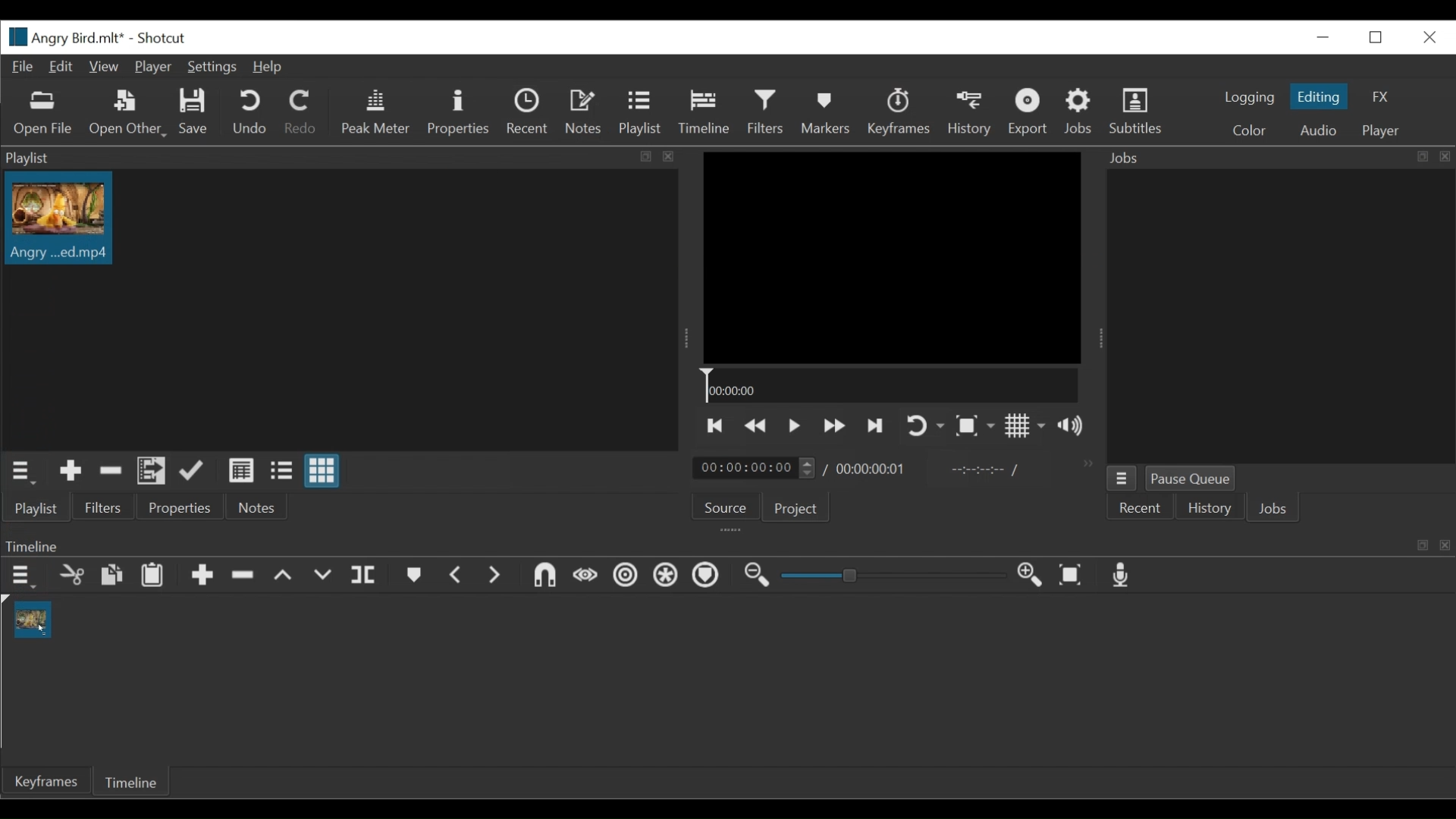 The width and height of the screenshot is (1456, 819). Describe the element at coordinates (889, 386) in the screenshot. I see `Timeline` at that location.